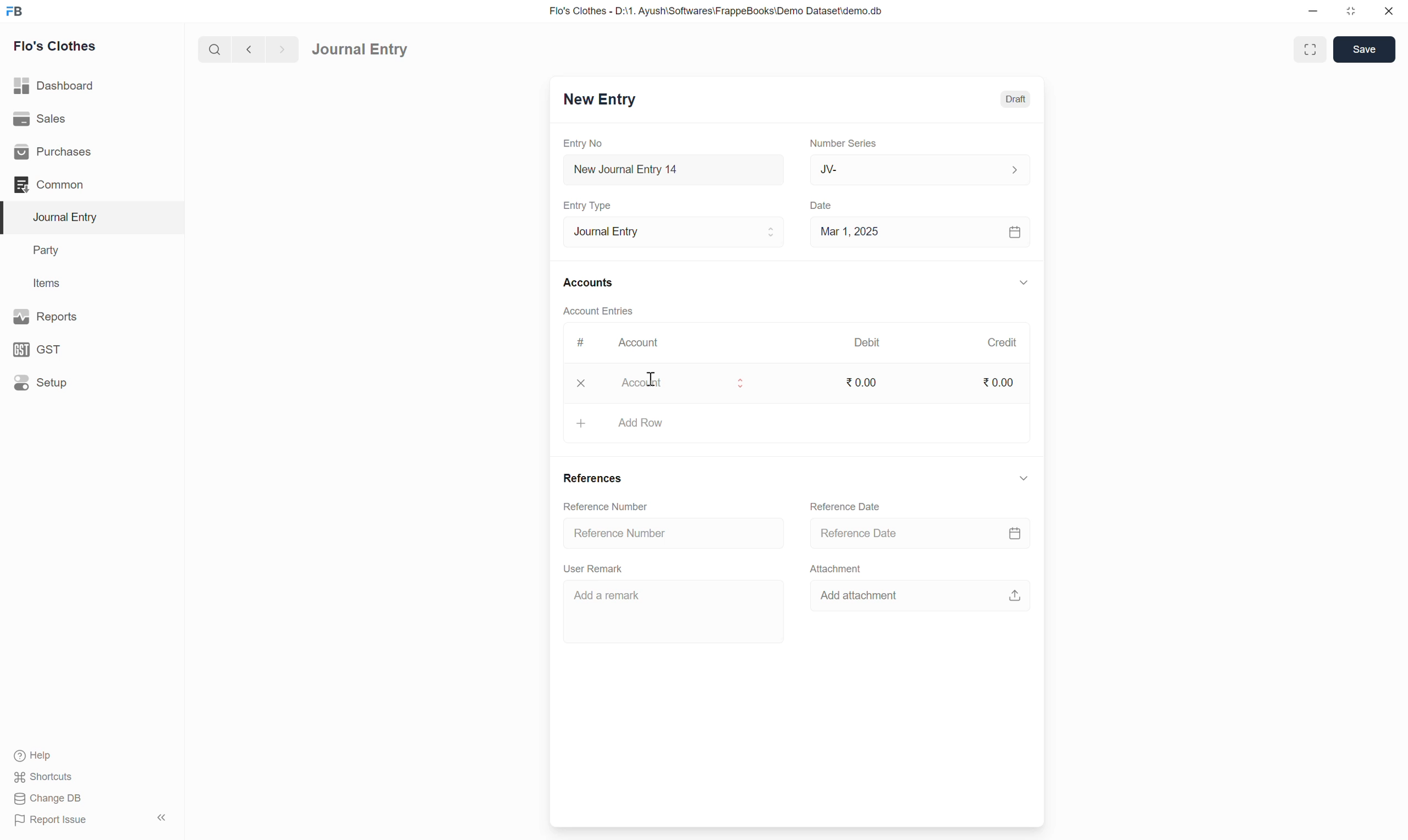 This screenshot has width=1408, height=840. What do you see at coordinates (581, 342) in the screenshot?
I see `#` at bounding box center [581, 342].